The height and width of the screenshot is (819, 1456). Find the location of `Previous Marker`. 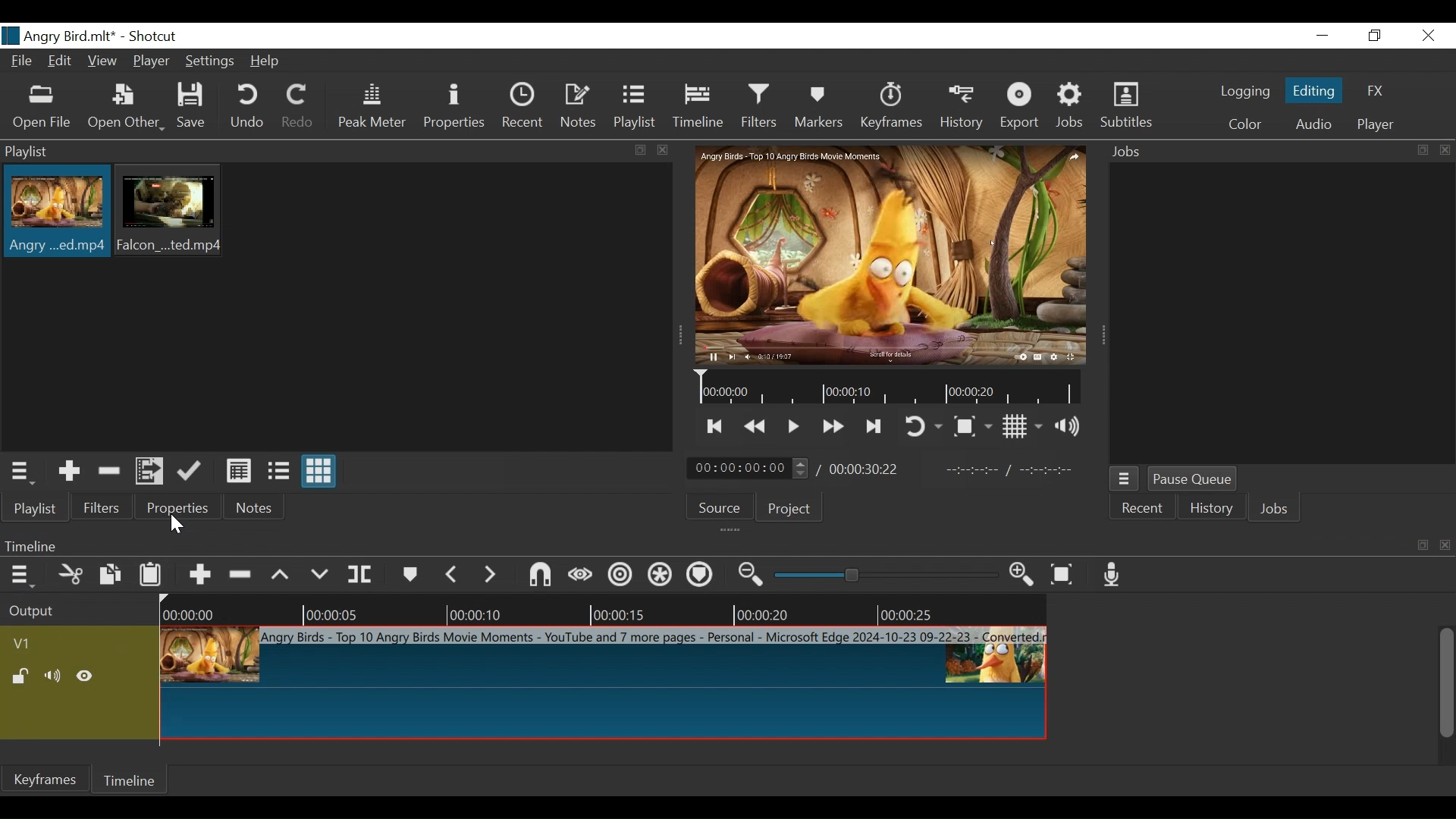

Previous Marker is located at coordinates (453, 574).